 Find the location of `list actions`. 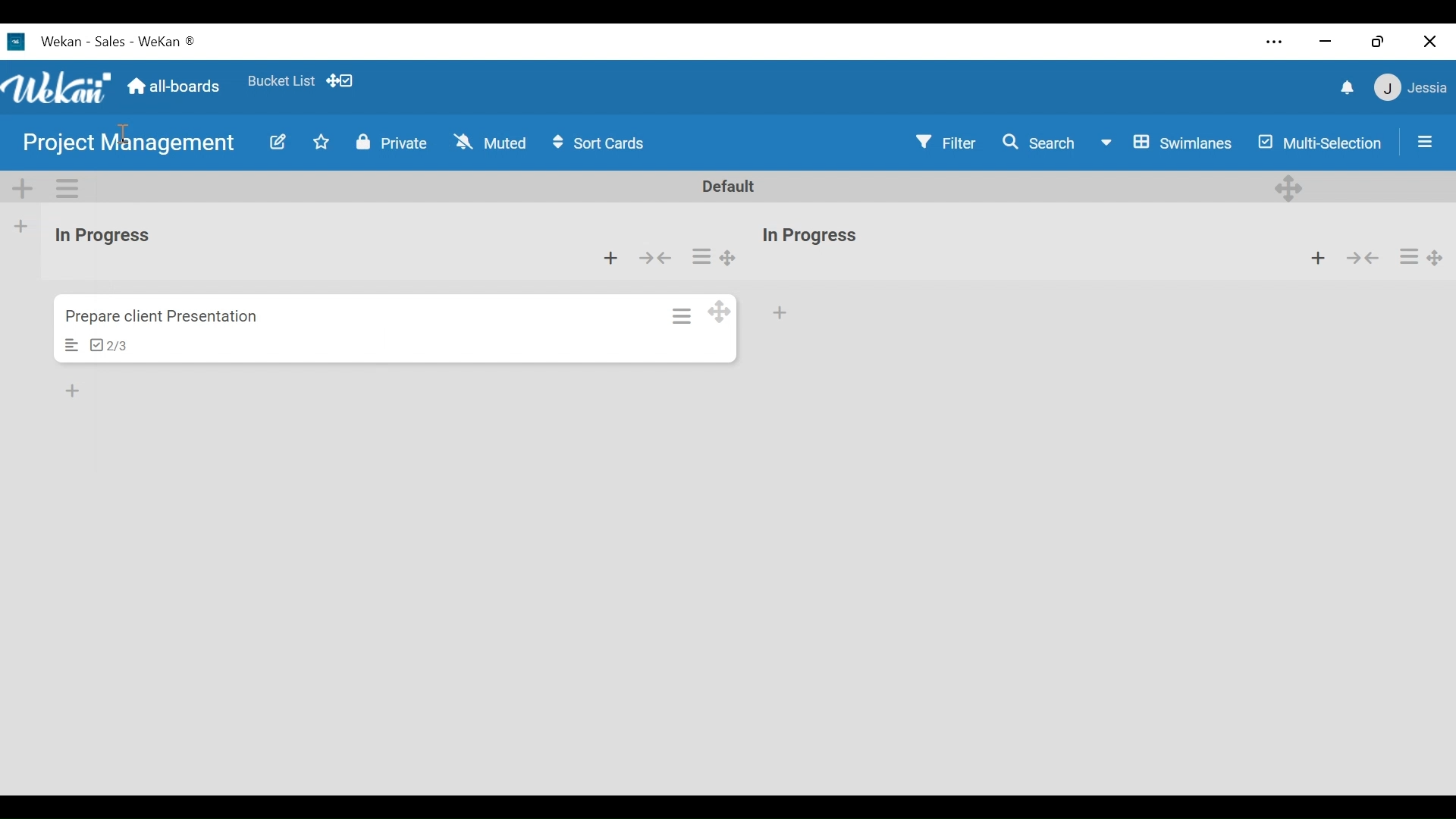

list actions is located at coordinates (1410, 257).